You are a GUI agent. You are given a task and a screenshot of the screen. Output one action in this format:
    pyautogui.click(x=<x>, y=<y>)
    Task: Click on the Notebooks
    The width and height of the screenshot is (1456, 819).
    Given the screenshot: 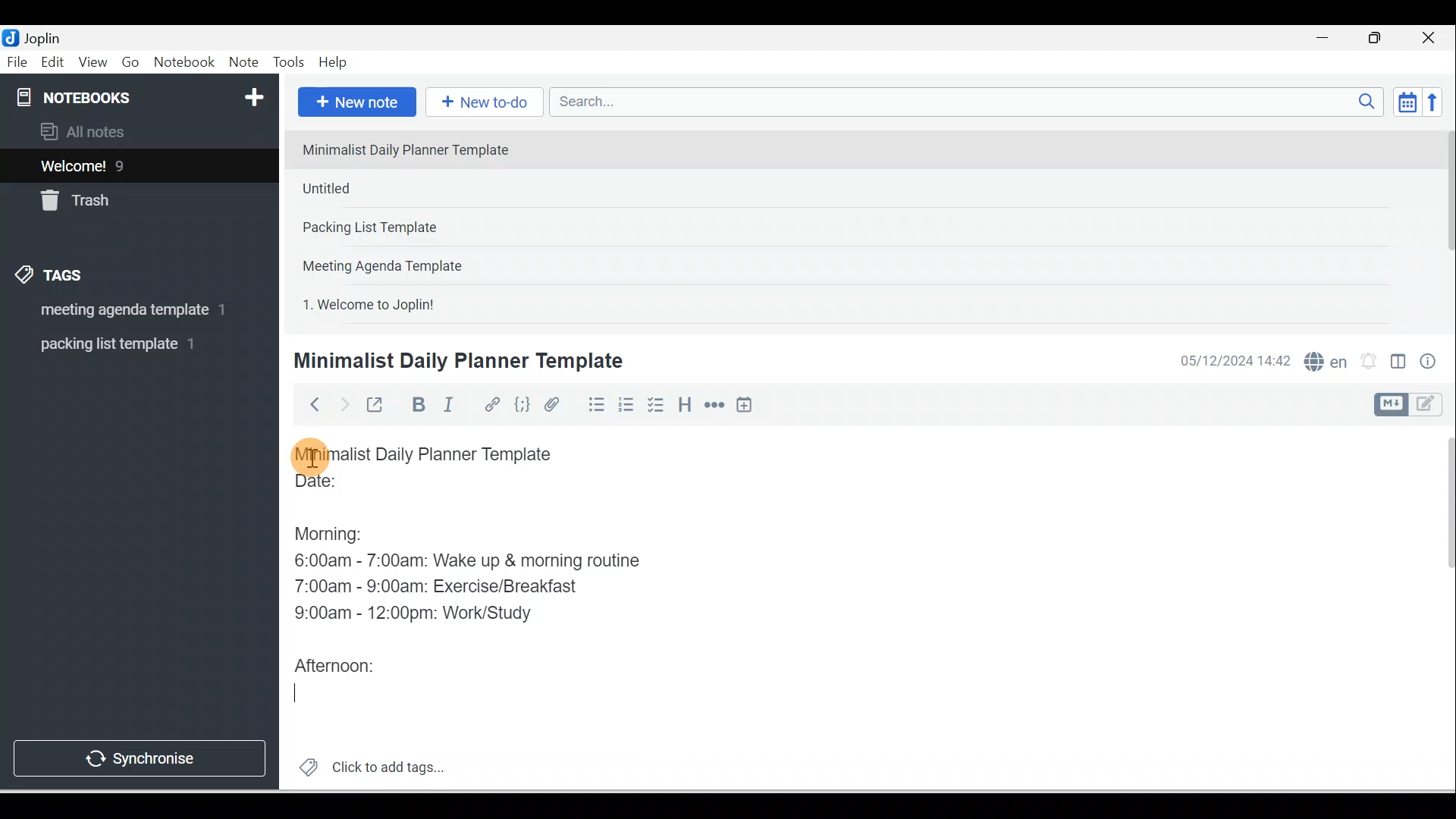 What is the action you would take?
    pyautogui.click(x=143, y=94)
    